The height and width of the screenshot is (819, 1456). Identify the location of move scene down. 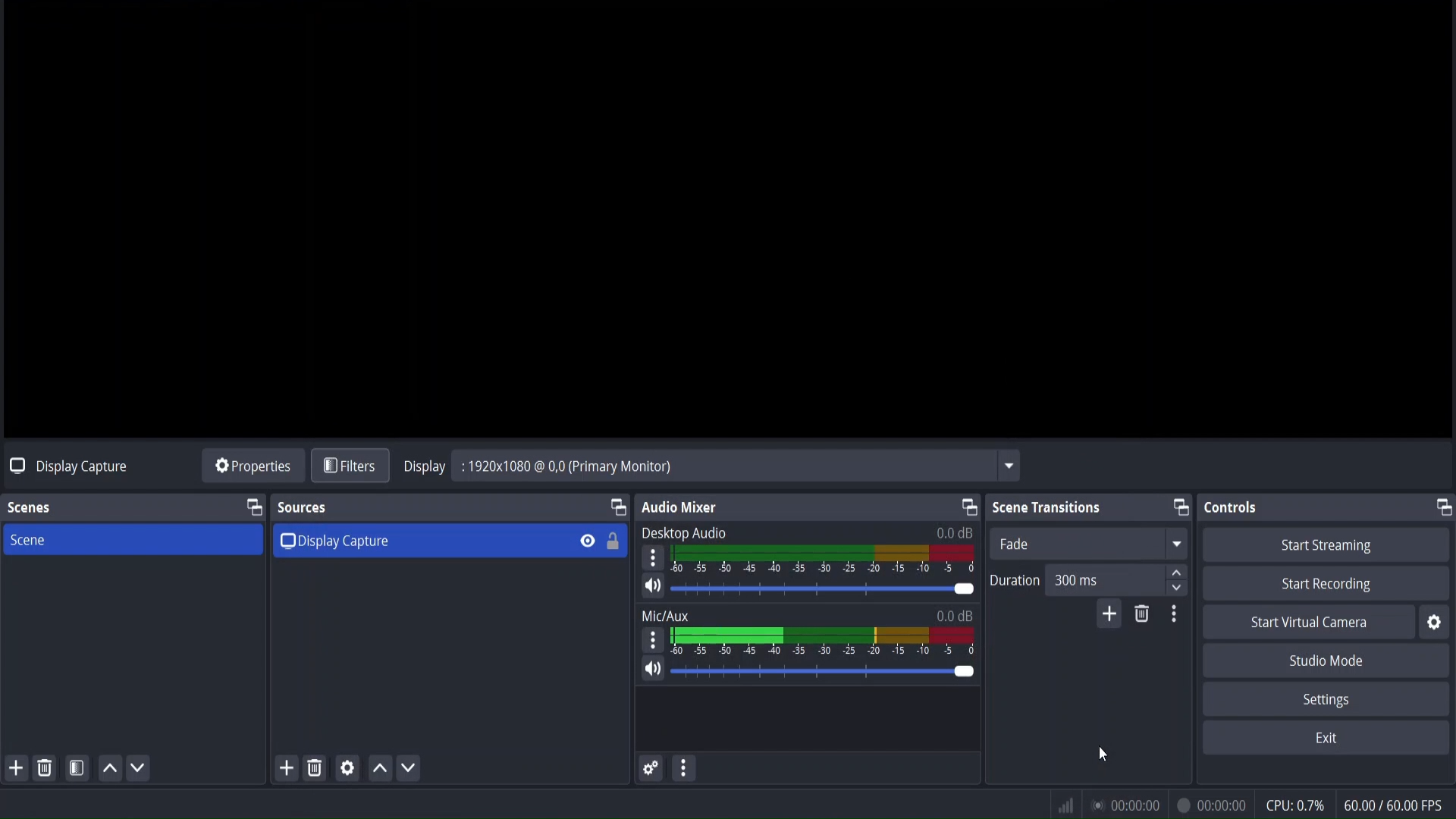
(139, 770).